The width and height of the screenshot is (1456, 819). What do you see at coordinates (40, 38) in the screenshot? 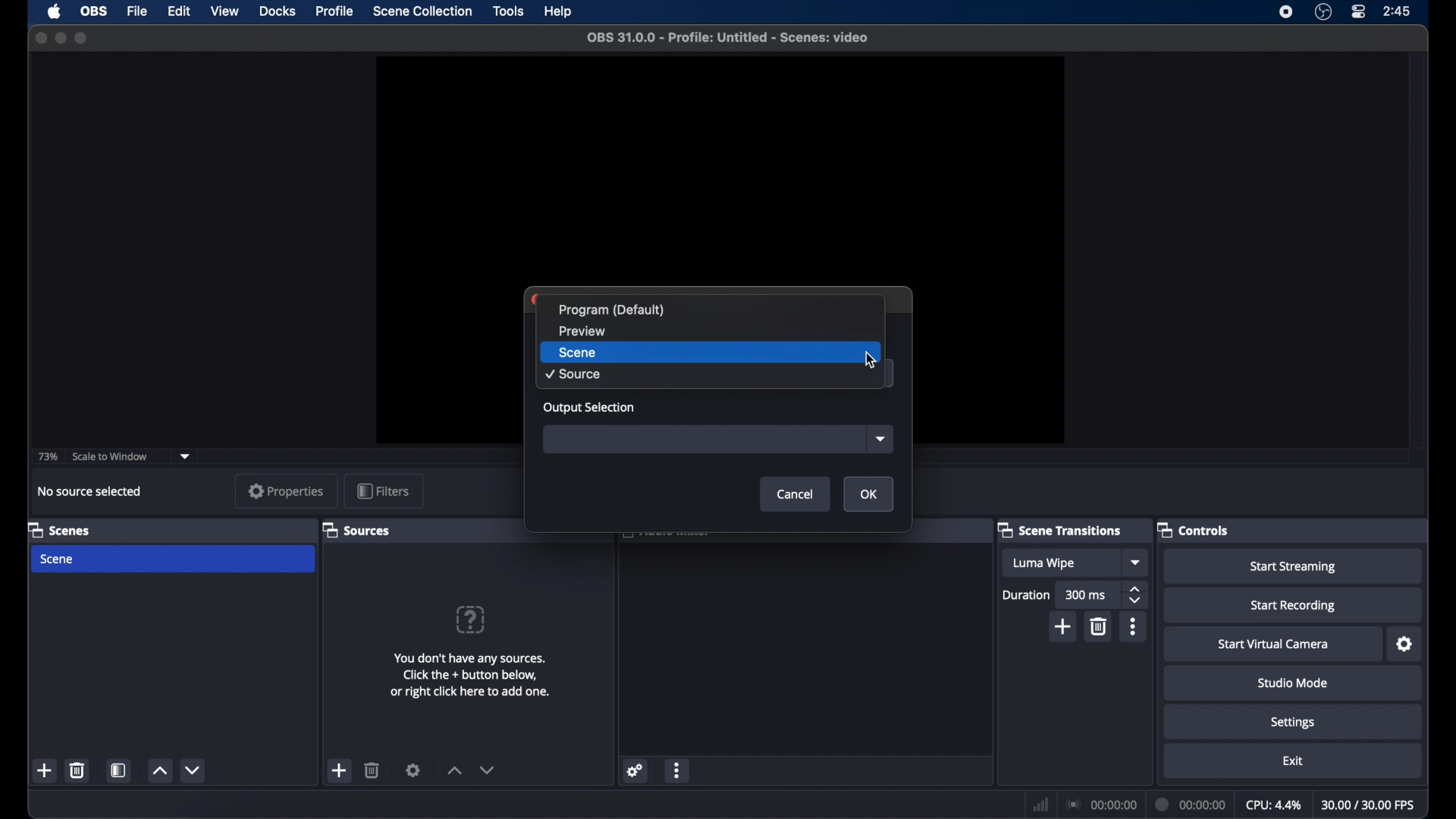
I see `close` at bounding box center [40, 38].